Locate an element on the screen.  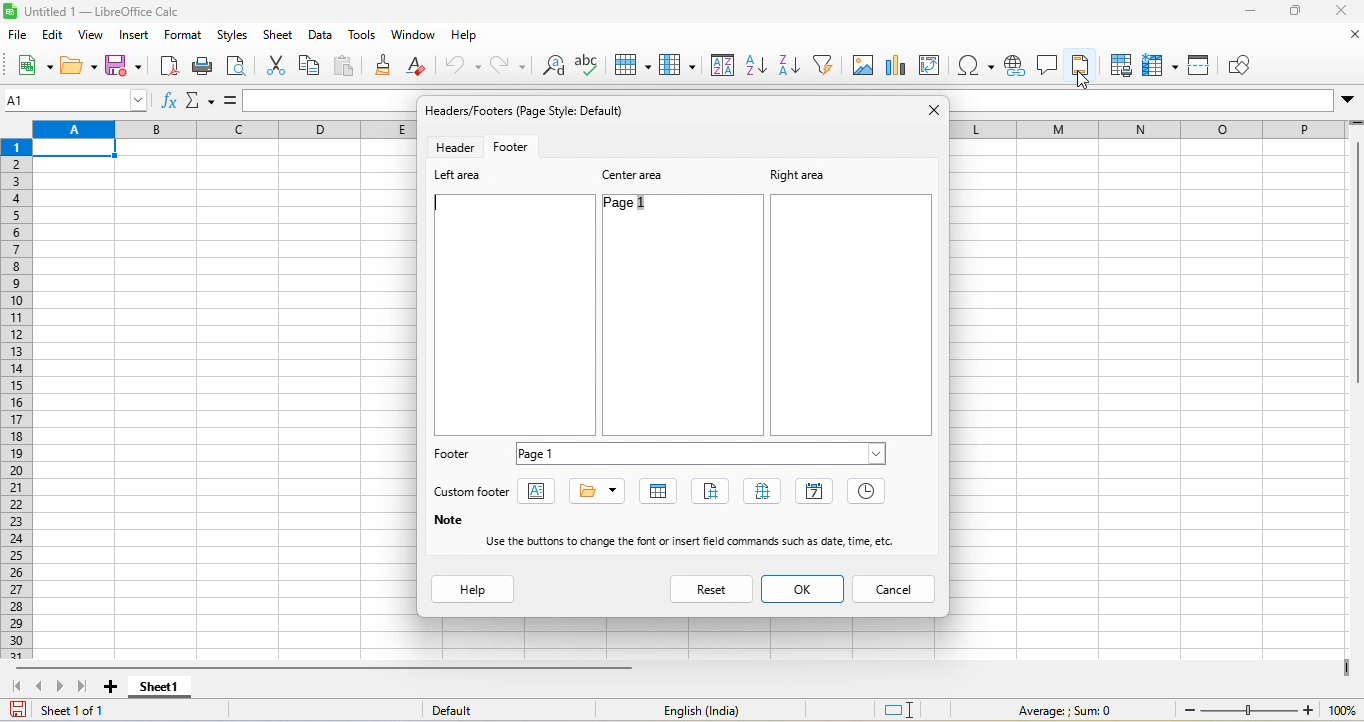
new is located at coordinates (32, 67).